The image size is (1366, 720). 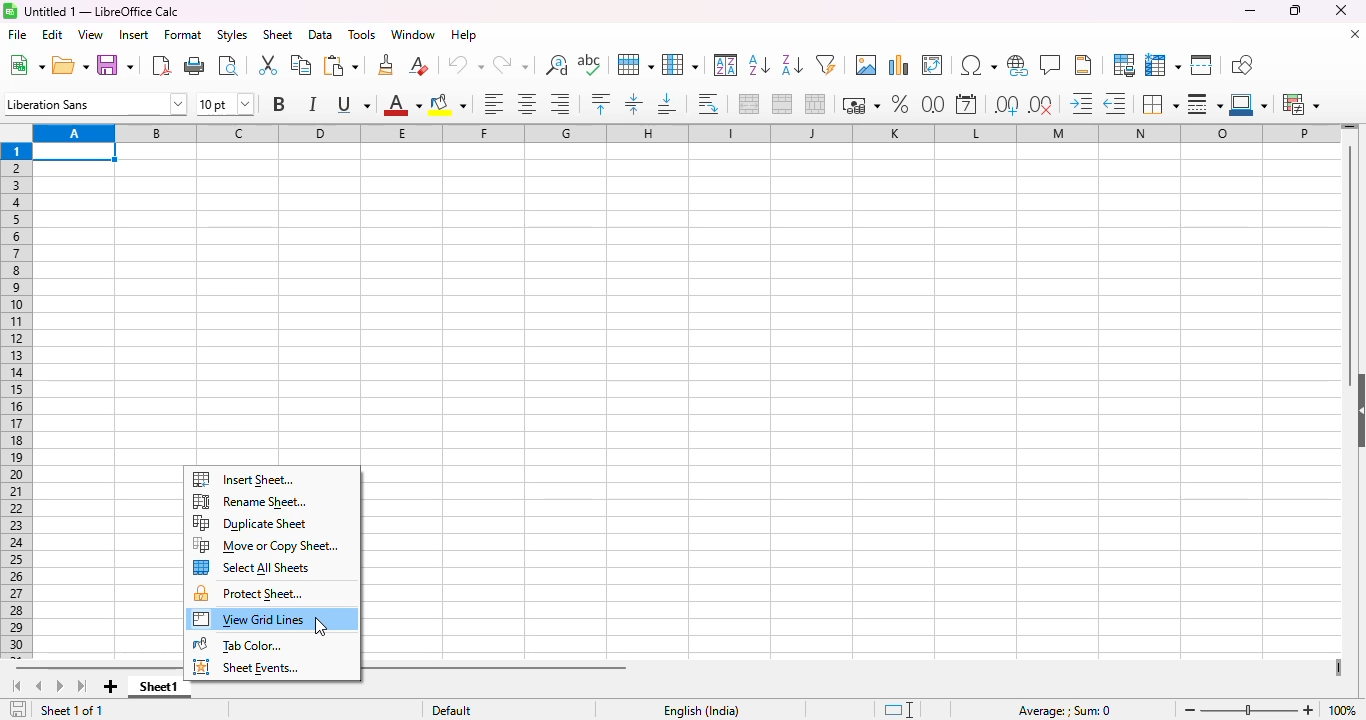 What do you see at coordinates (1342, 710) in the screenshot?
I see `zoom factor` at bounding box center [1342, 710].